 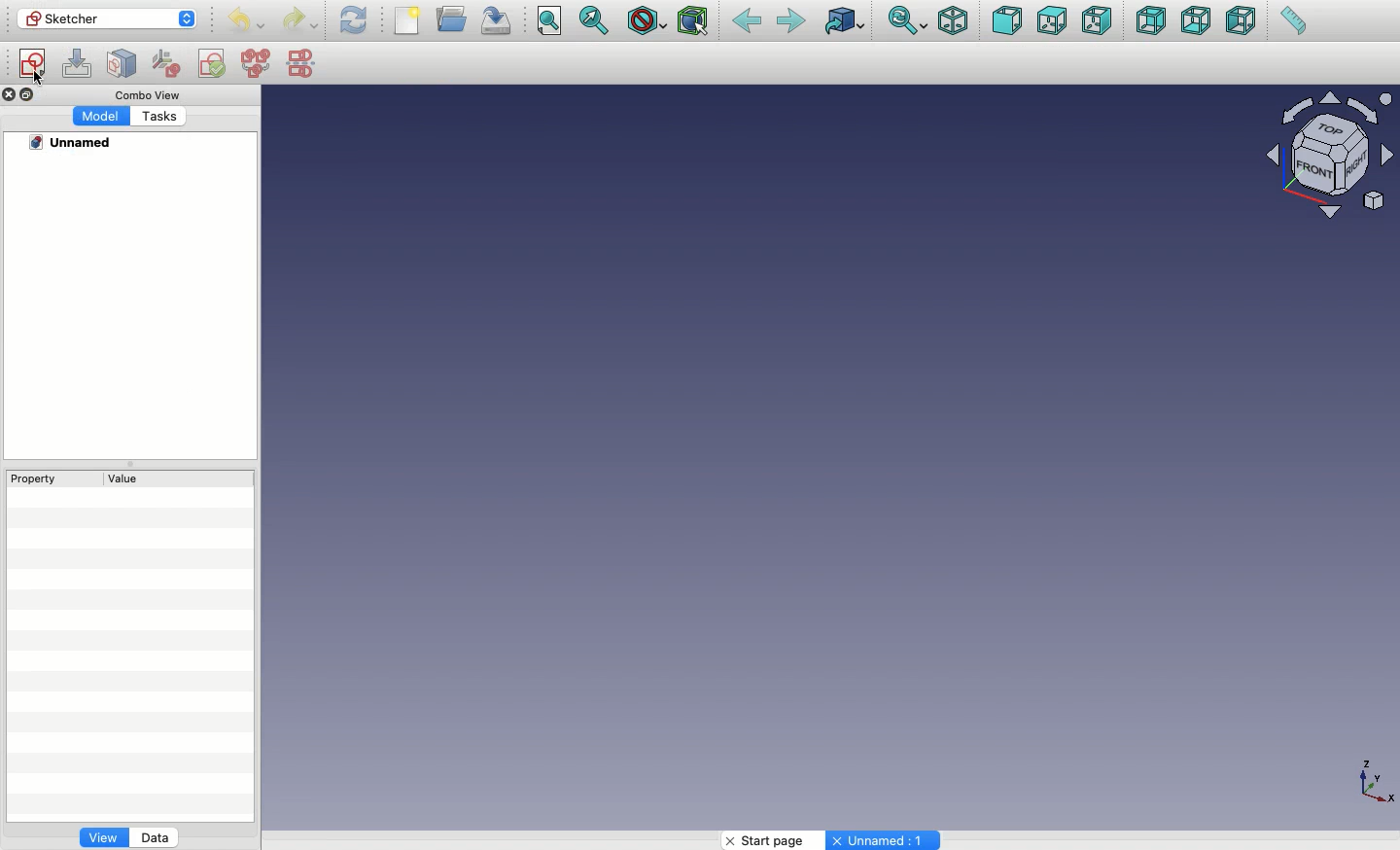 What do you see at coordinates (80, 64) in the screenshot?
I see `Edit sketch` at bounding box center [80, 64].